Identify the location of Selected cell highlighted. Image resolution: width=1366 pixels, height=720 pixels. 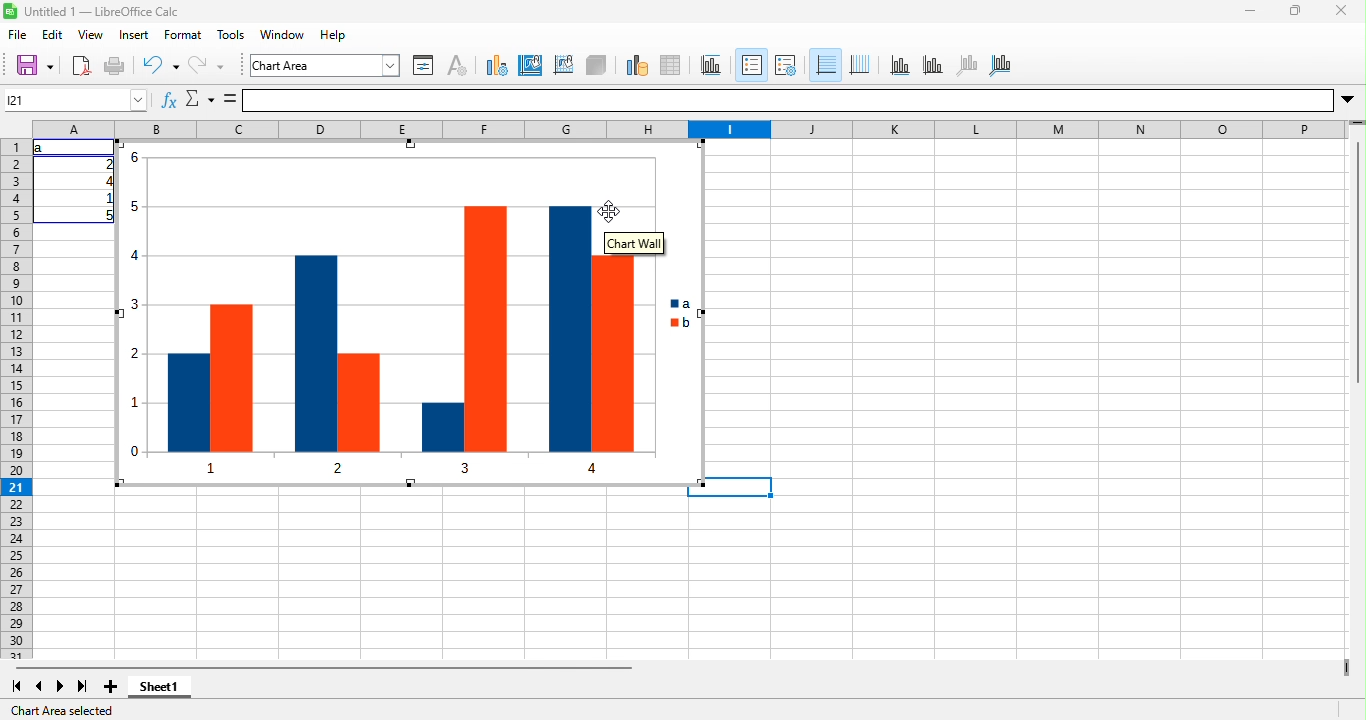
(740, 487).